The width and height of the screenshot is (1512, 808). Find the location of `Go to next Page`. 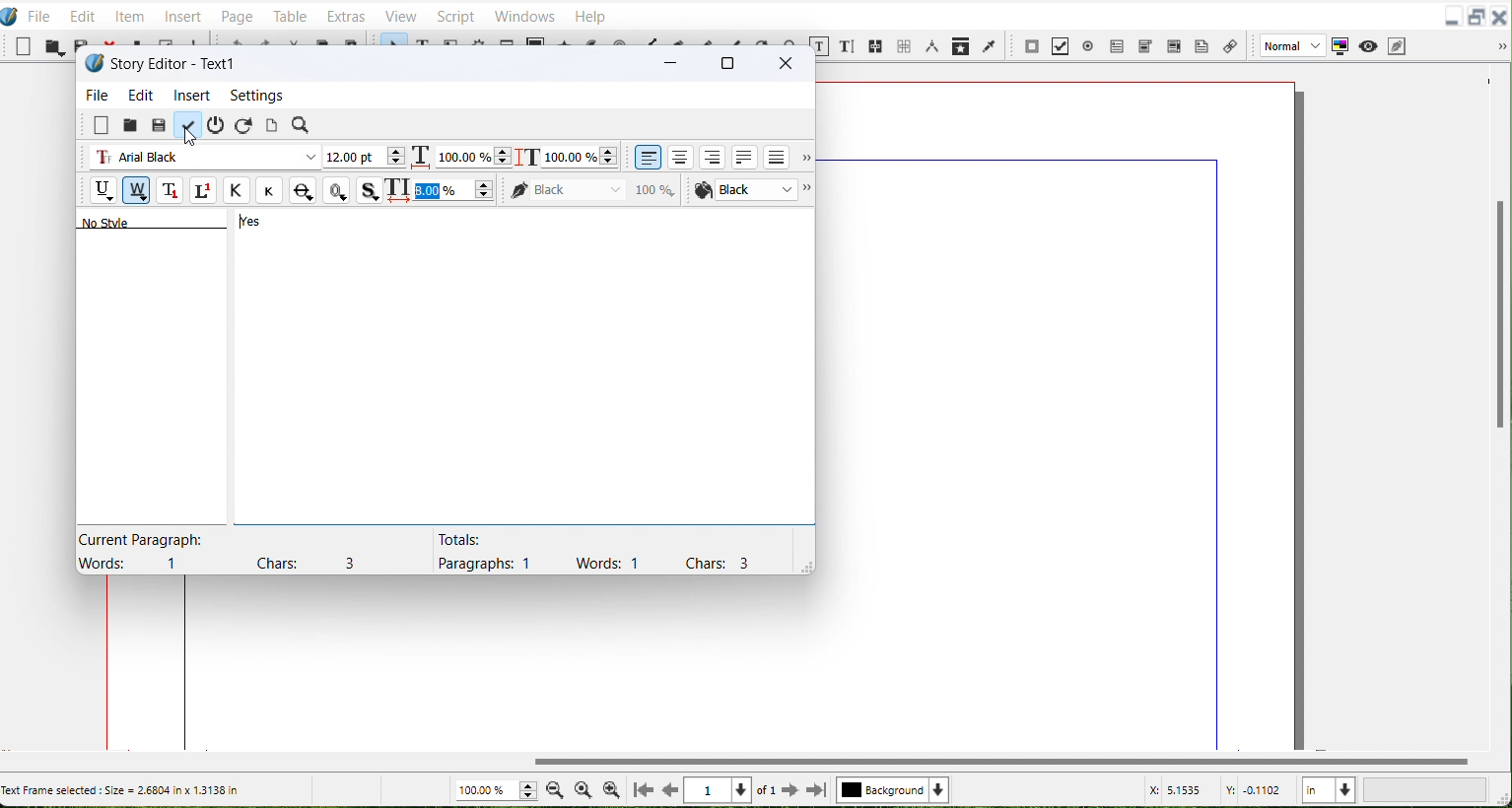

Go to next Page is located at coordinates (790, 791).